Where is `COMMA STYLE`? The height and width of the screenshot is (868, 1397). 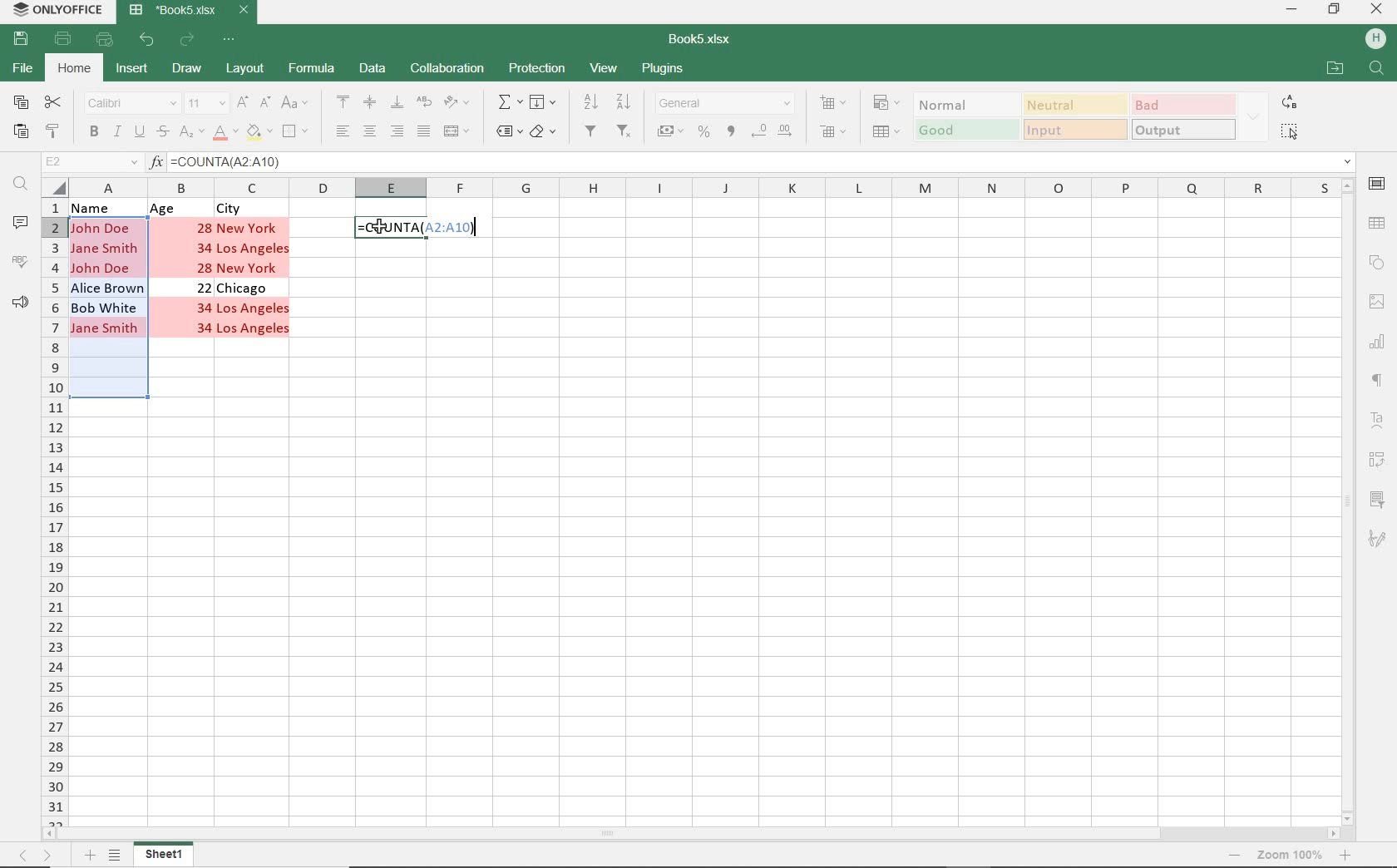
COMMA STYLE is located at coordinates (731, 131).